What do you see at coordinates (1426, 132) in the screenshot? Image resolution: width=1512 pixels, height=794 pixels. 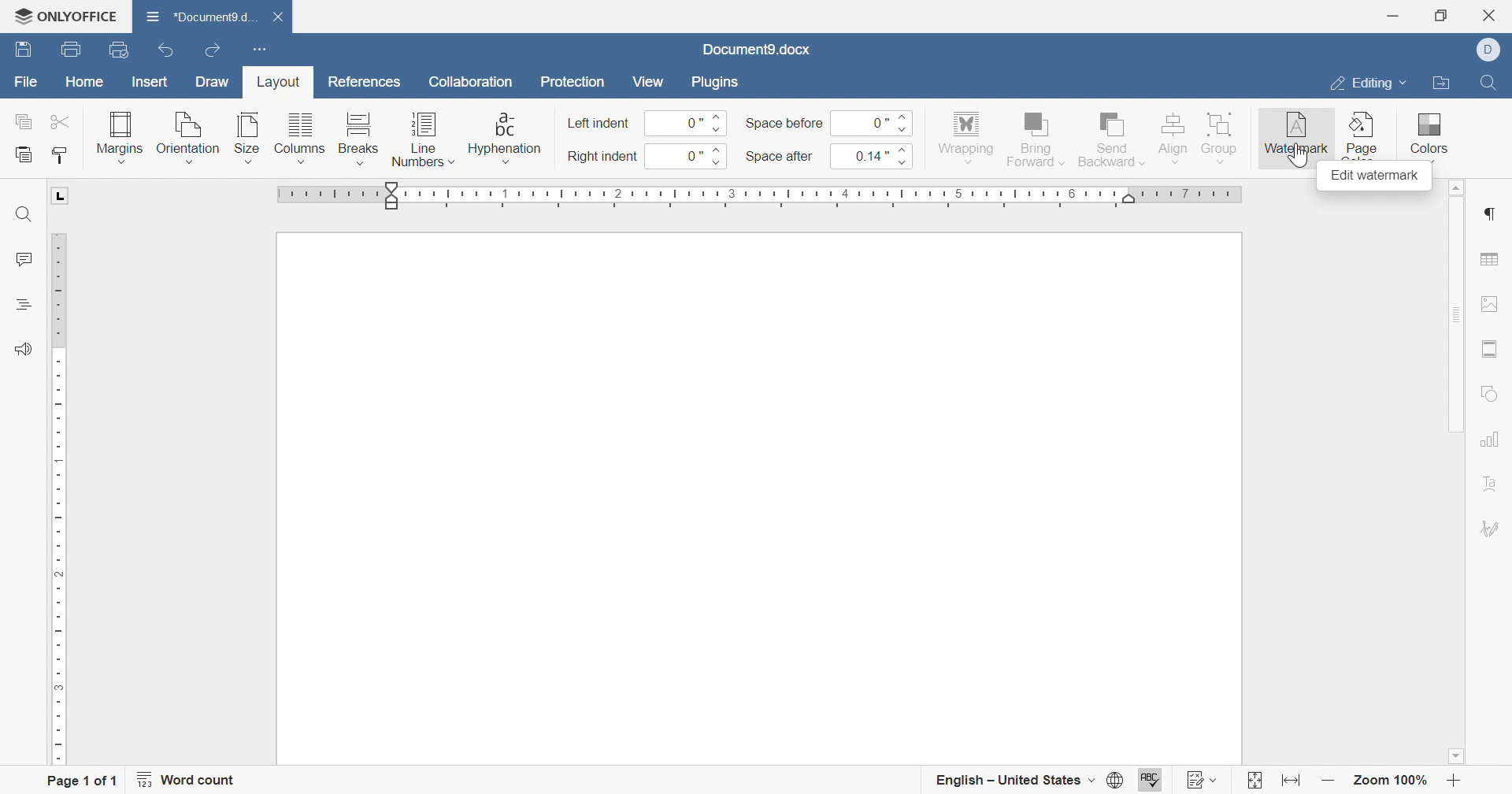 I see `colors` at bounding box center [1426, 132].